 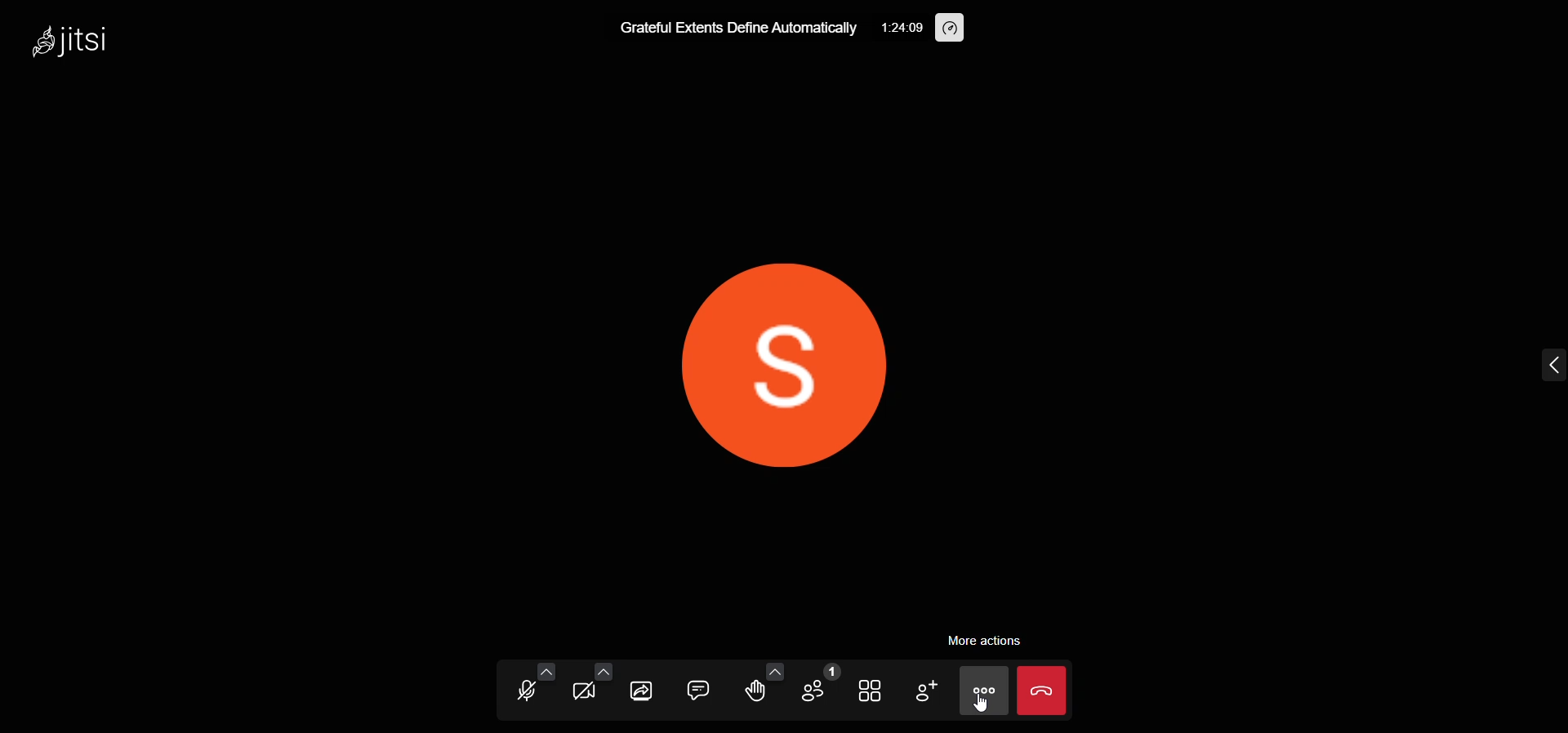 I want to click on more, so click(x=985, y=691).